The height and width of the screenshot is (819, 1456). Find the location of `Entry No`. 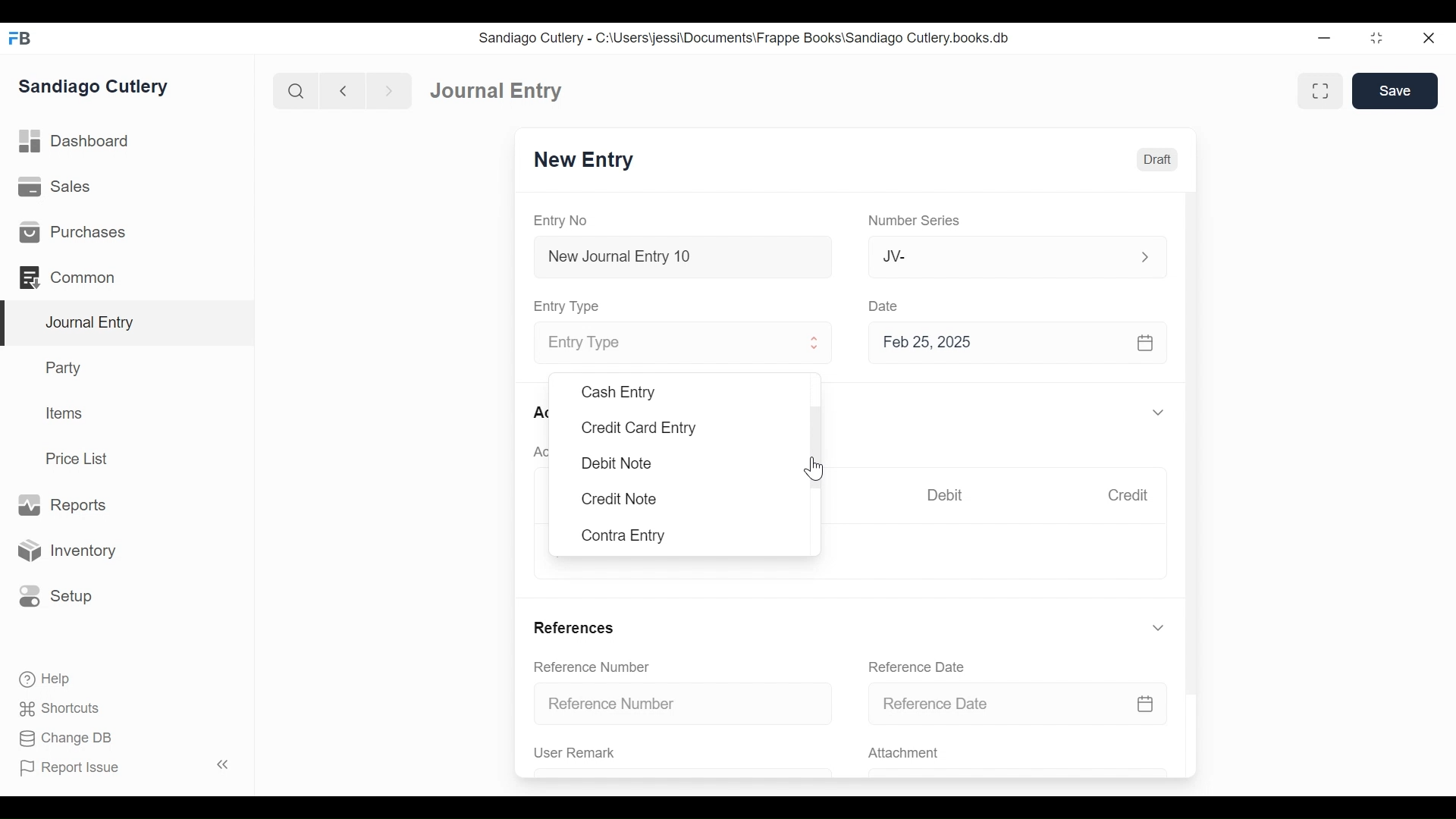

Entry No is located at coordinates (565, 220).